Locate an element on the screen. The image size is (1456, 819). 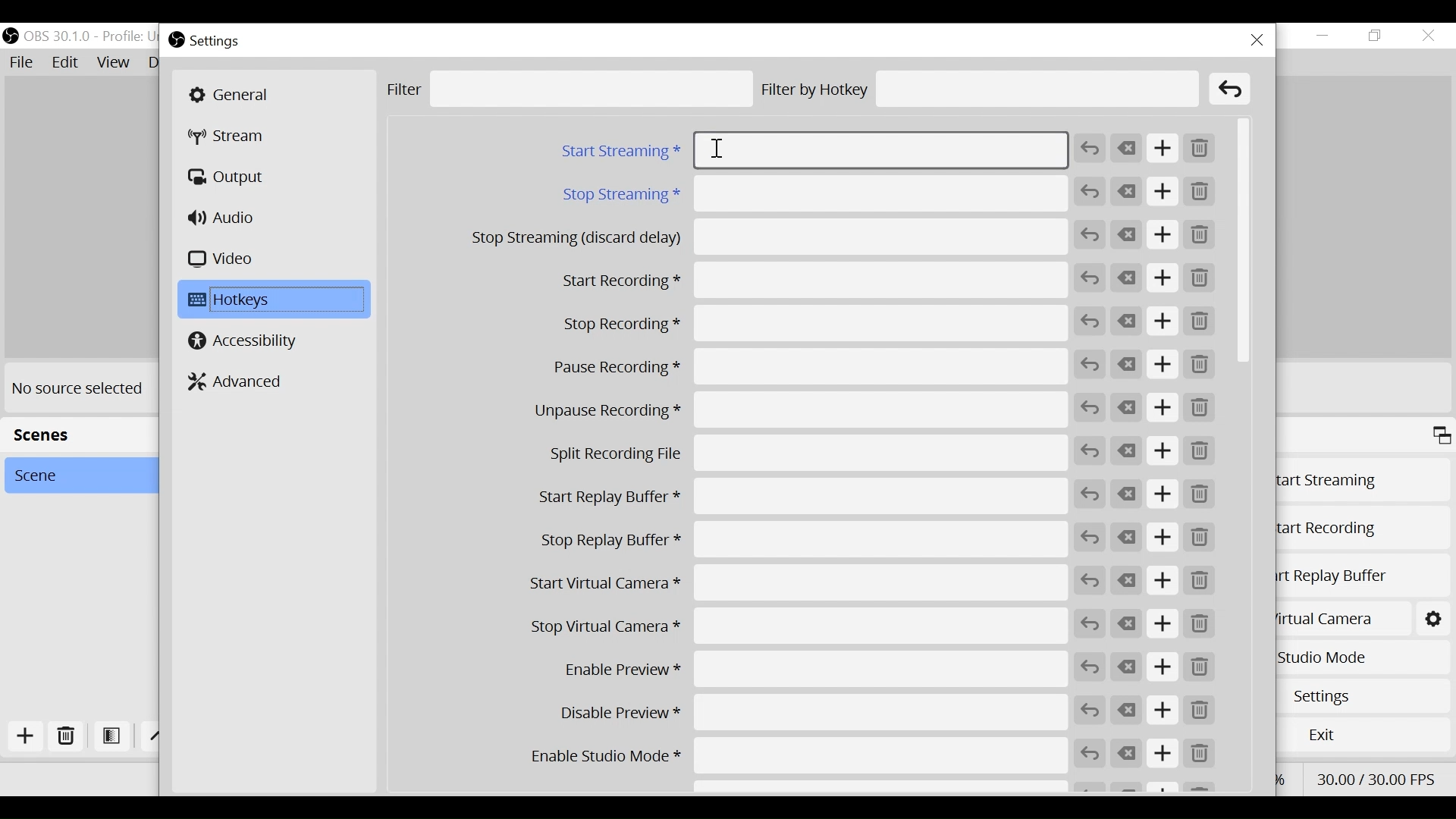
Revert is located at coordinates (1090, 450).